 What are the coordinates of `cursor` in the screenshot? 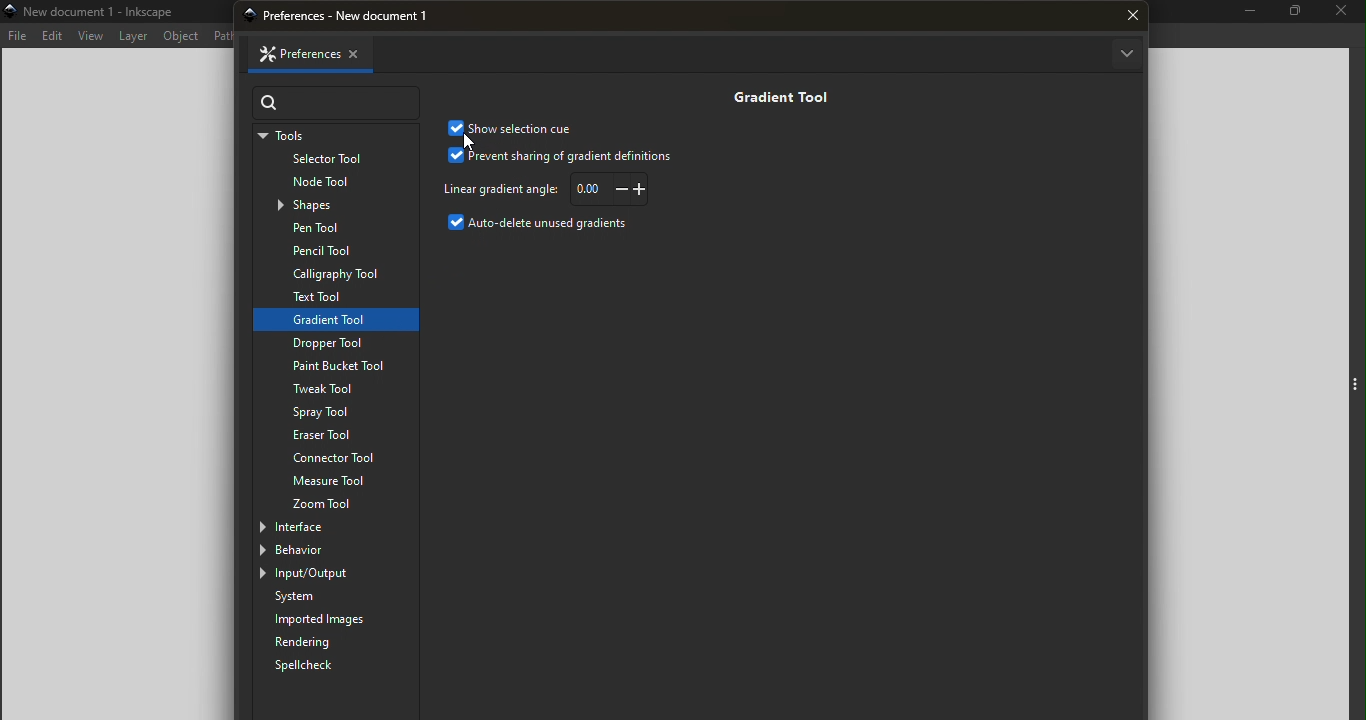 It's located at (472, 143).